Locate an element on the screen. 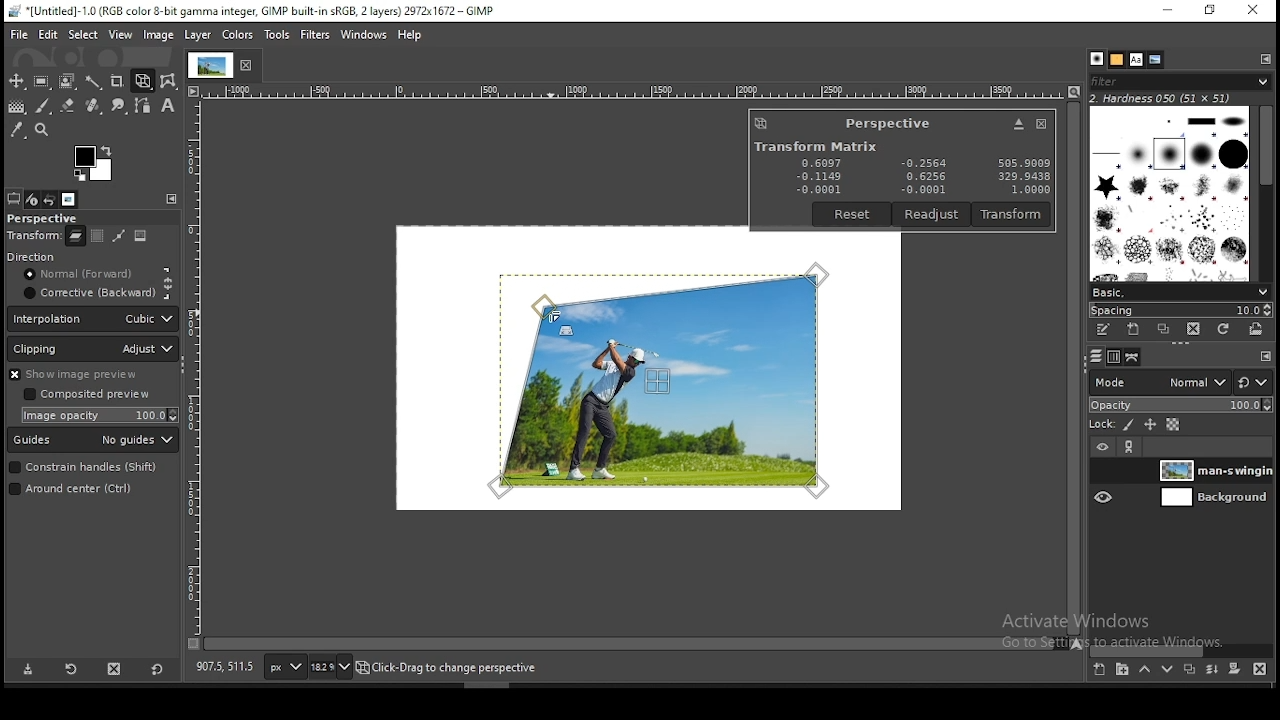 The height and width of the screenshot is (720, 1280). transform is located at coordinates (1013, 214).